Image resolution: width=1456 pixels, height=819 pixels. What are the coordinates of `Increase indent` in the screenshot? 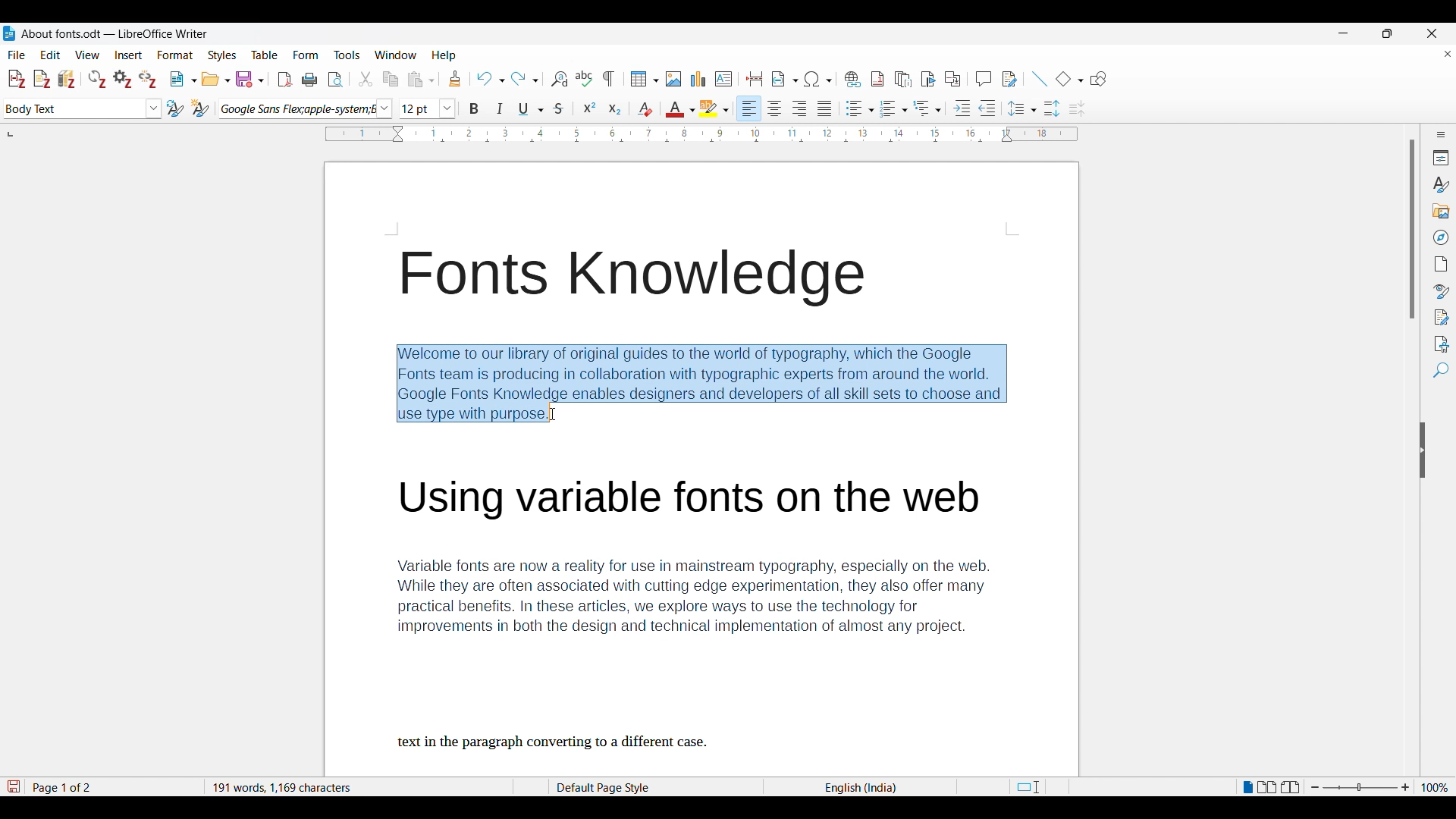 It's located at (962, 108).